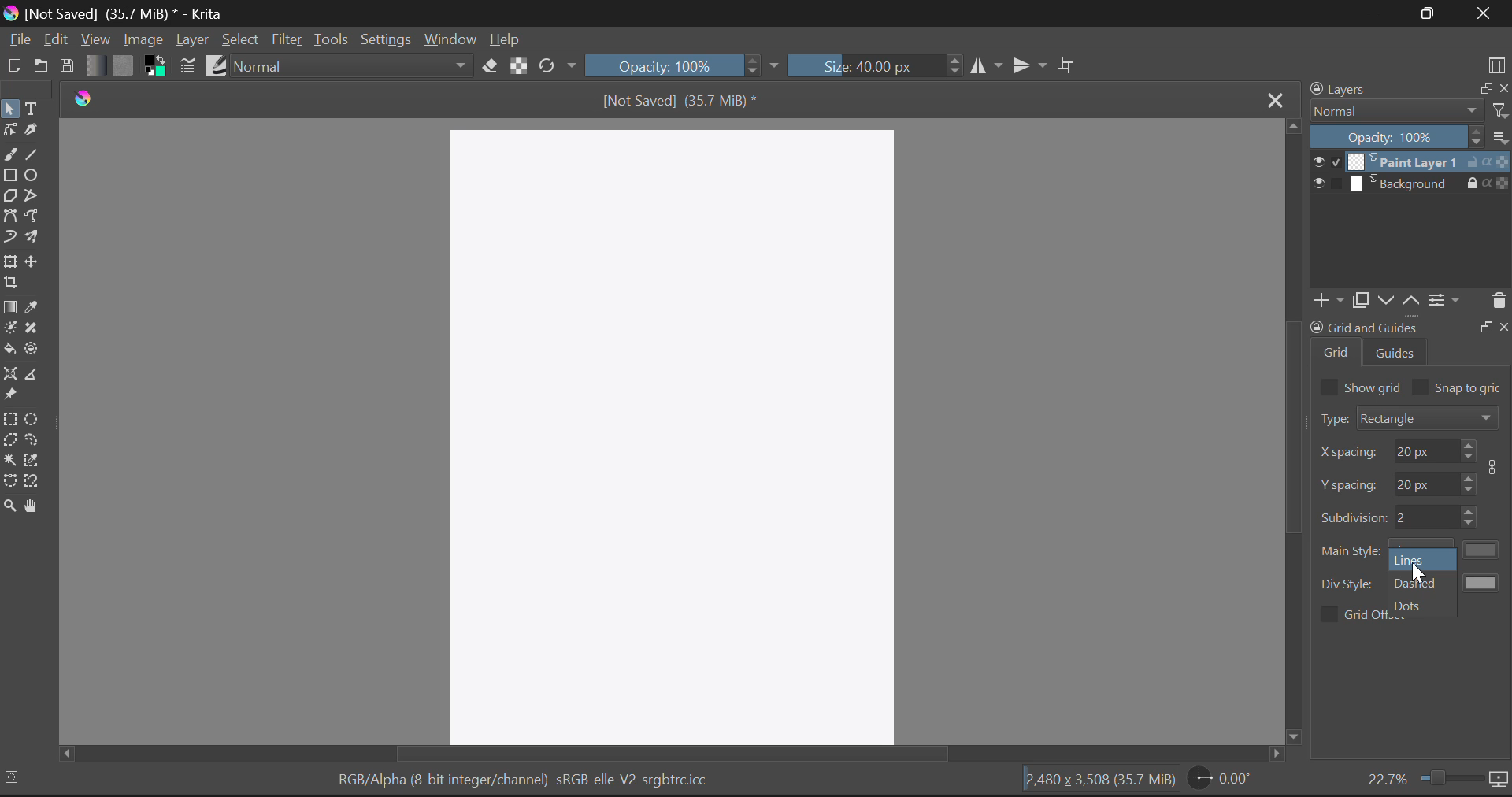 The image size is (1512, 797). What do you see at coordinates (66, 63) in the screenshot?
I see `Save` at bounding box center [66, 63].